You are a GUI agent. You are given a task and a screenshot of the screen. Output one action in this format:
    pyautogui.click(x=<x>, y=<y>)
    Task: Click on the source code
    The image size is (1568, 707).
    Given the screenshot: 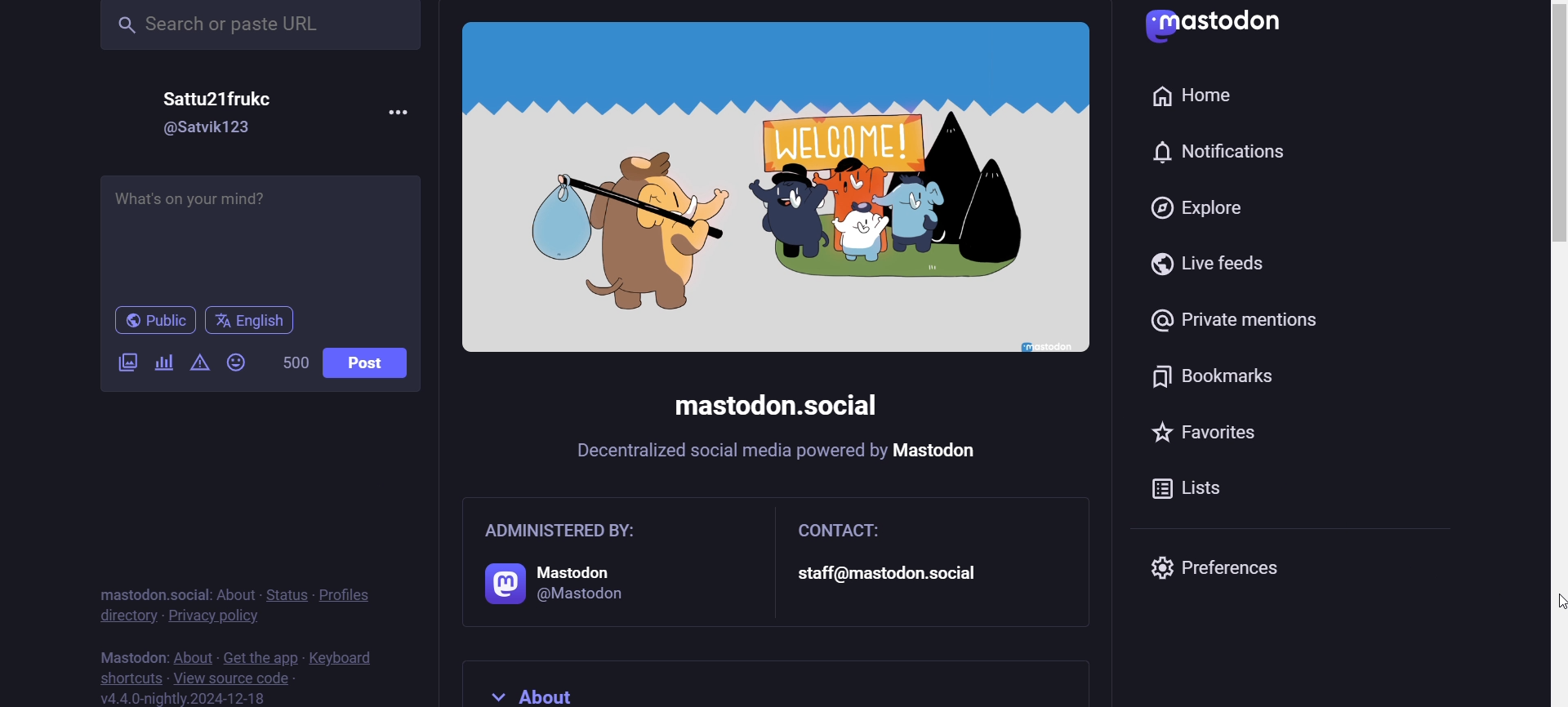 What is the action you would take?
    pyautogui.click(x=238, y=676)
    